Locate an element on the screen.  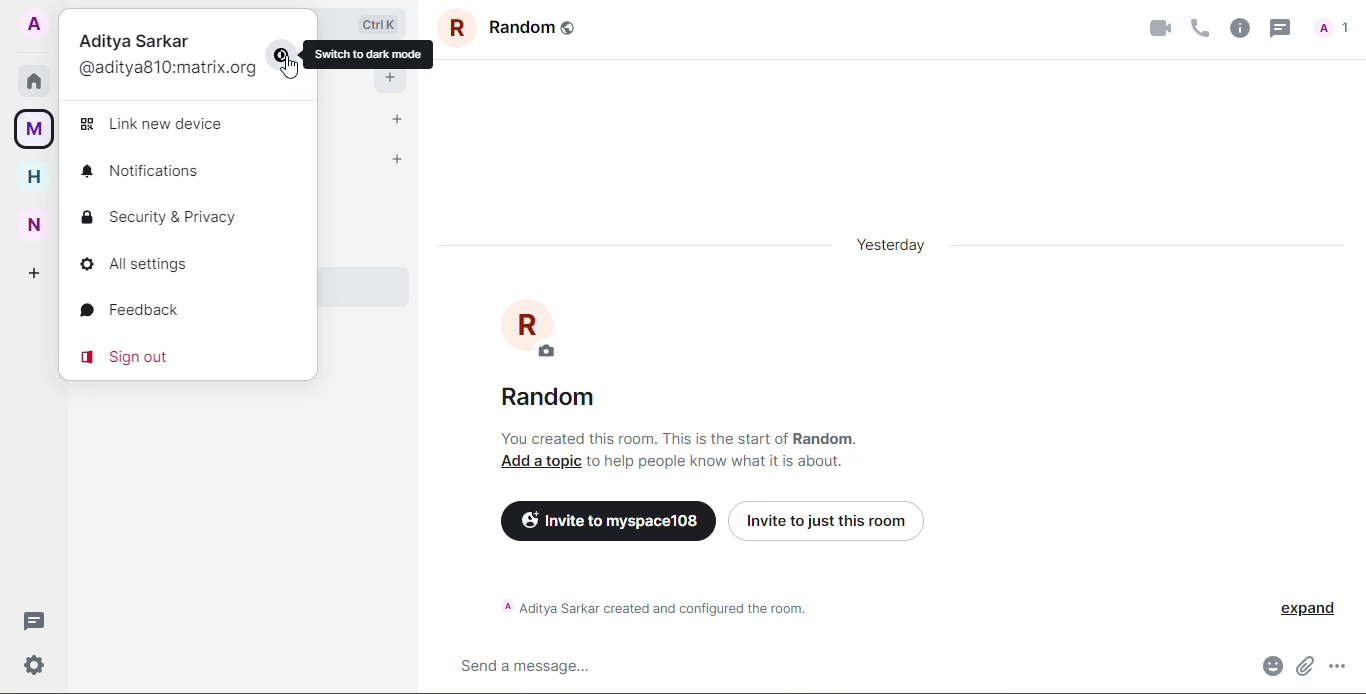
add is located at coordinates (398, 118).